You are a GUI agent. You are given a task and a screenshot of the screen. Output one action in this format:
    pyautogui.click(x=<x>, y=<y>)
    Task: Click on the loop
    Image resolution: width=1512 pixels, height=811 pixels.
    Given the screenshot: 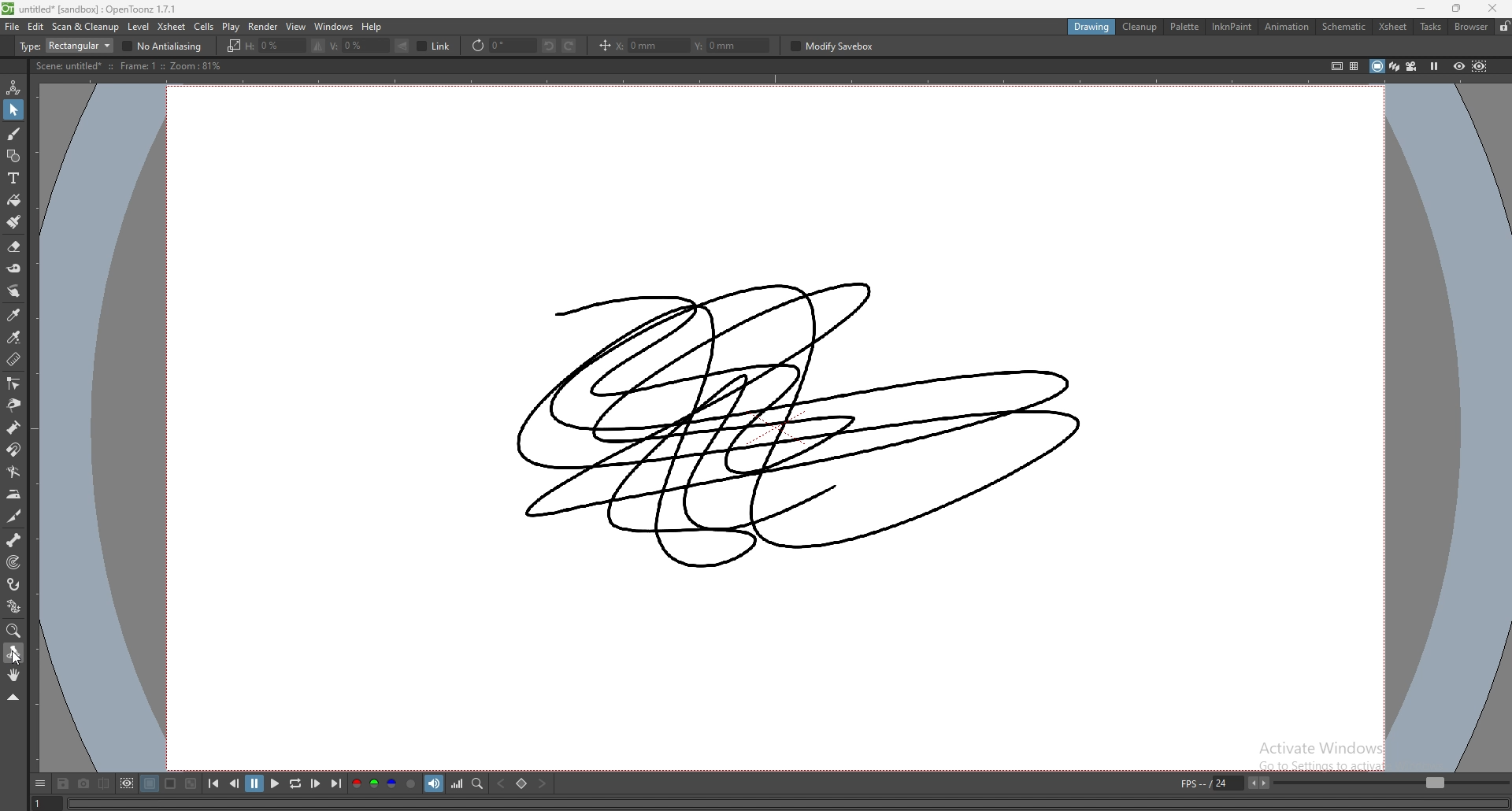 What is the action you would take?
    pyautogui.click(x=295, y=784)
    